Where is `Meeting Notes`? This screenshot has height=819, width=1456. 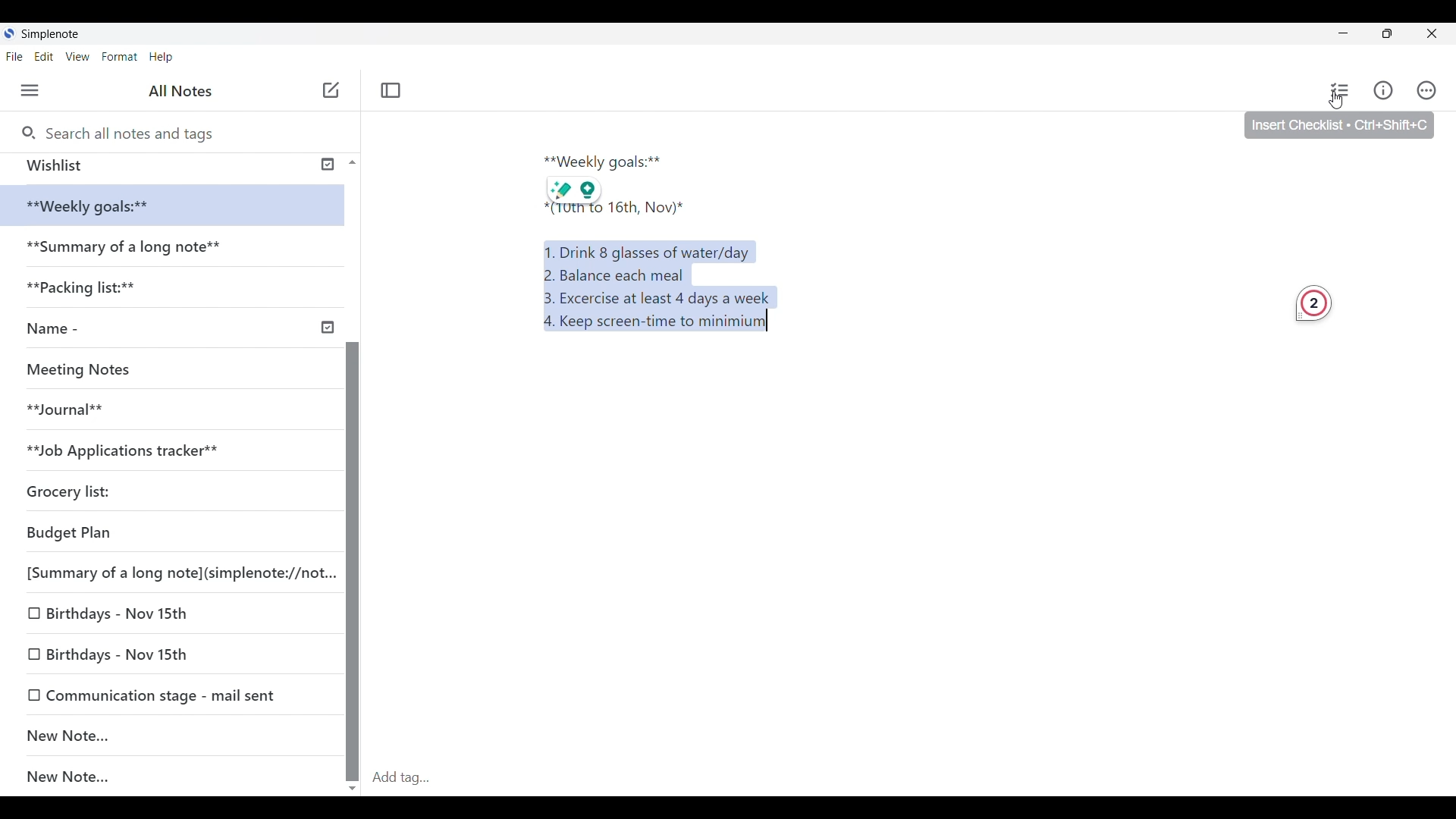
Meeting Notes is located at coordinates (85, 367).